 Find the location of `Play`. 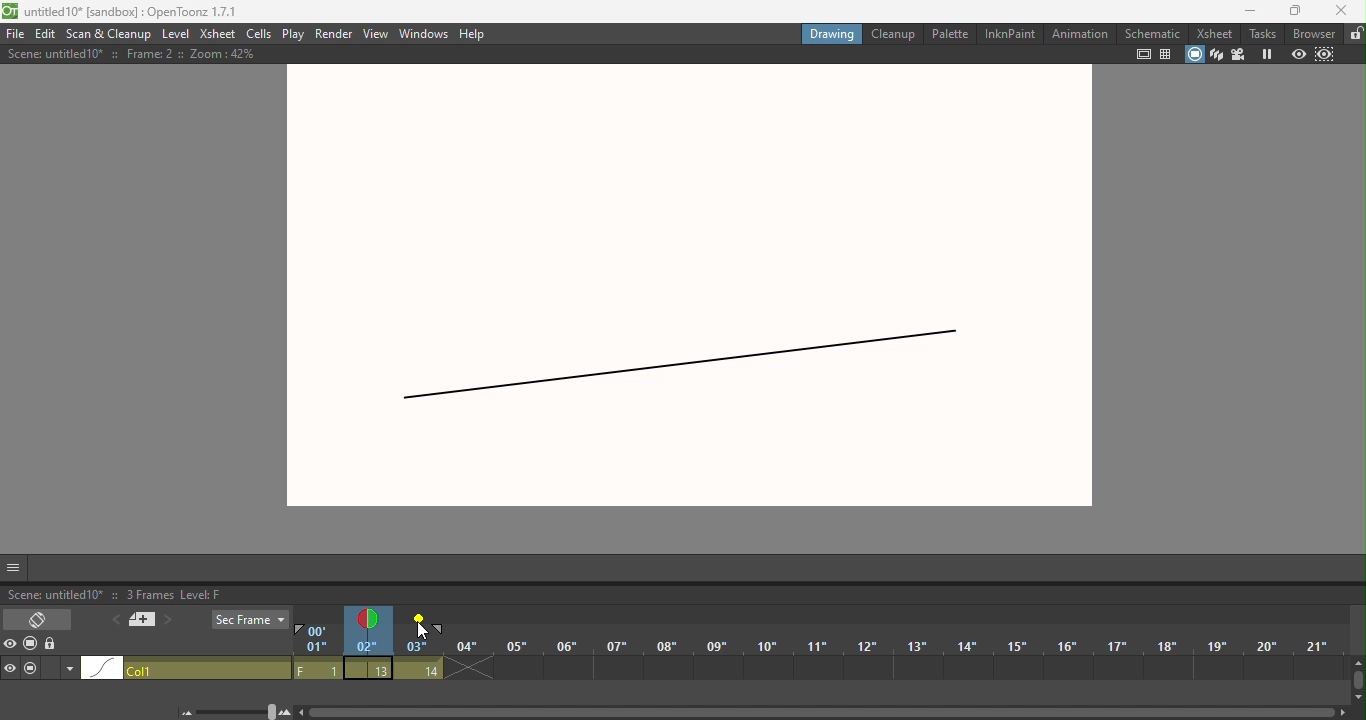

Play is located at coordinates (292, 34).